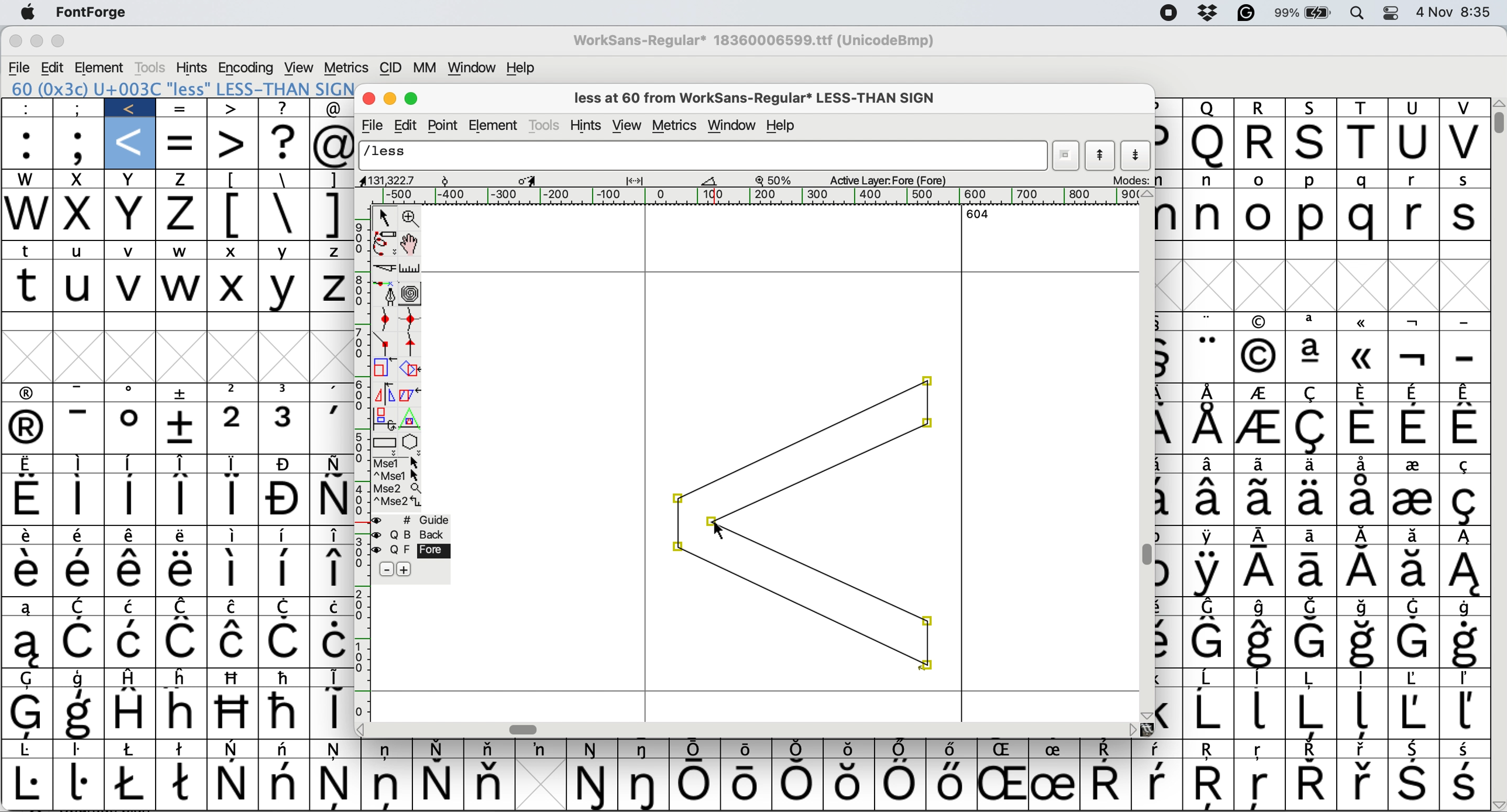 The height and width of the screenshot is (812, 1507). Describe the element at coordinates (78, 108) in the screenshot. I see `;` at that location.